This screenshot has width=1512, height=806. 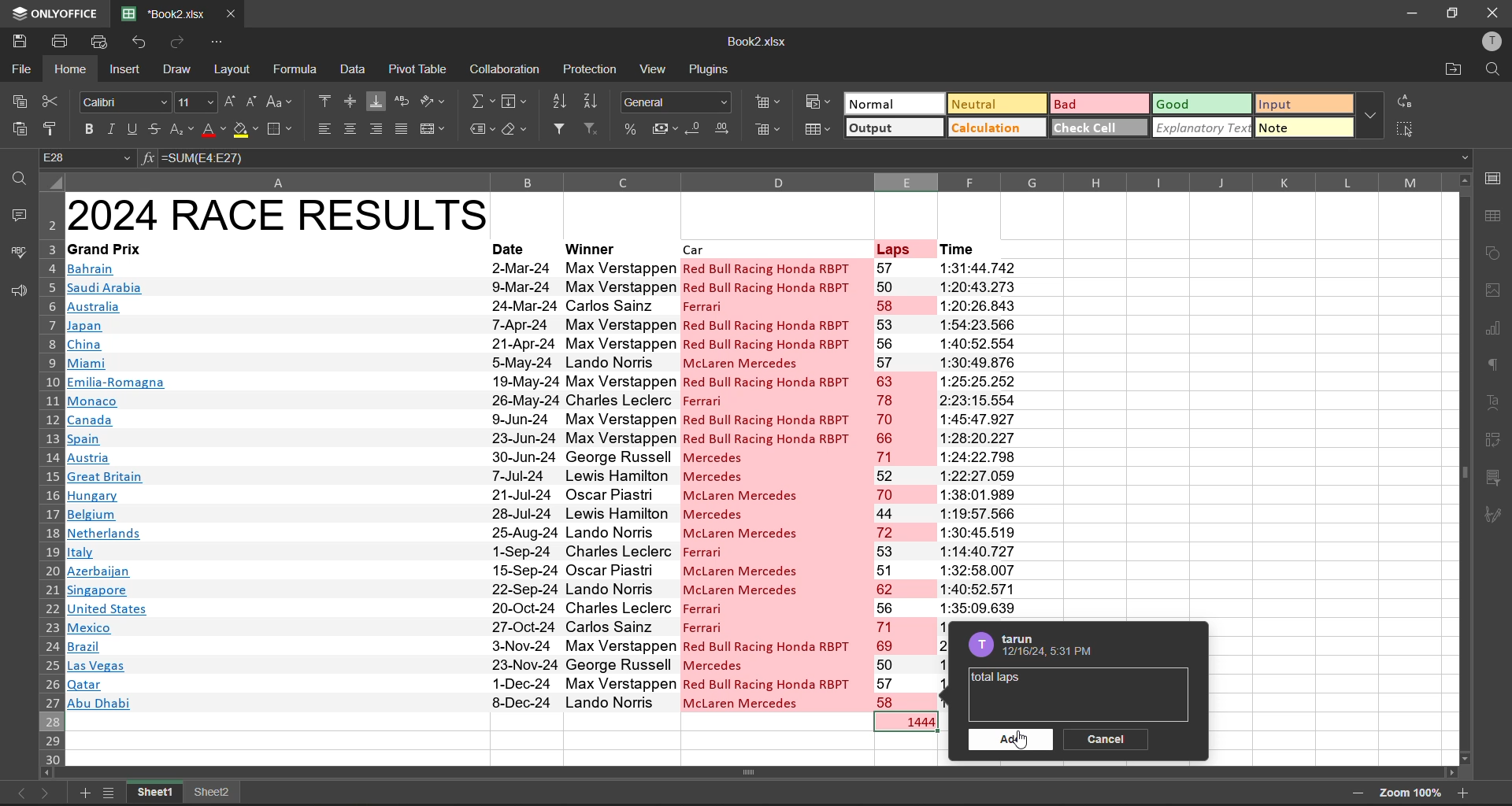 What do you see at coordinates (728, 127) in the screenshot?
I see `increase decimal` at bounding box center [728, 127].